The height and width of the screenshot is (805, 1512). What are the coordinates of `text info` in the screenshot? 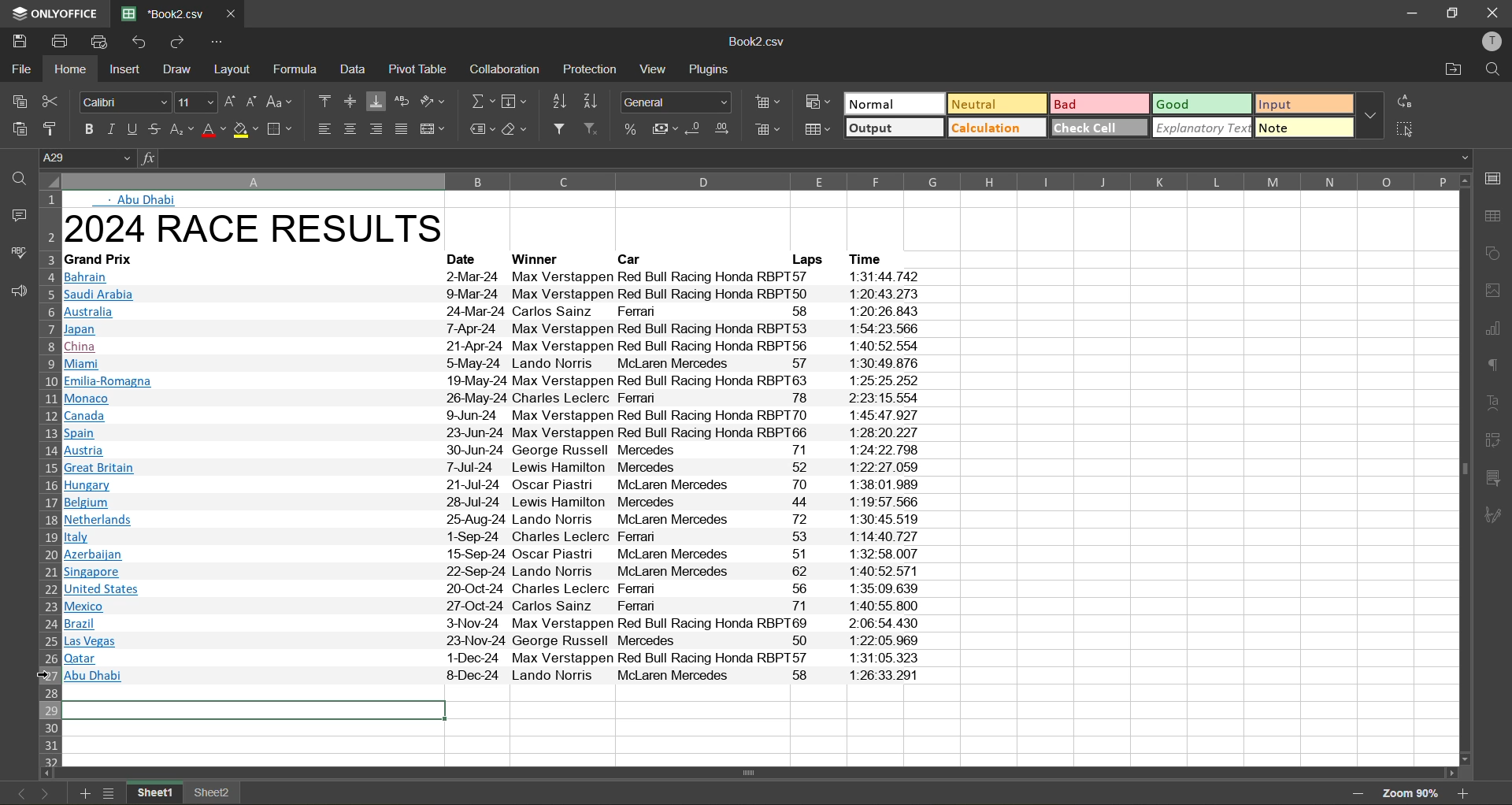 It's located at (493, 674).